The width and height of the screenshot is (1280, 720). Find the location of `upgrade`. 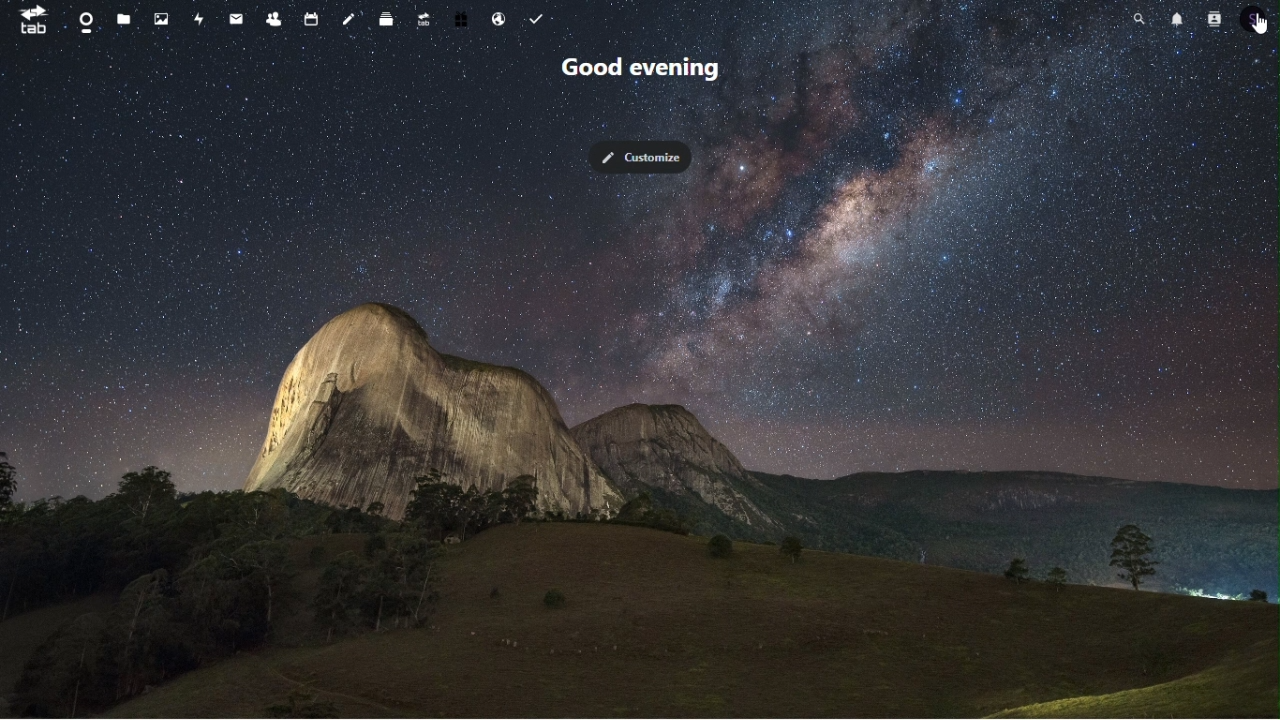

upgrade is located at coordinates (422, 20).